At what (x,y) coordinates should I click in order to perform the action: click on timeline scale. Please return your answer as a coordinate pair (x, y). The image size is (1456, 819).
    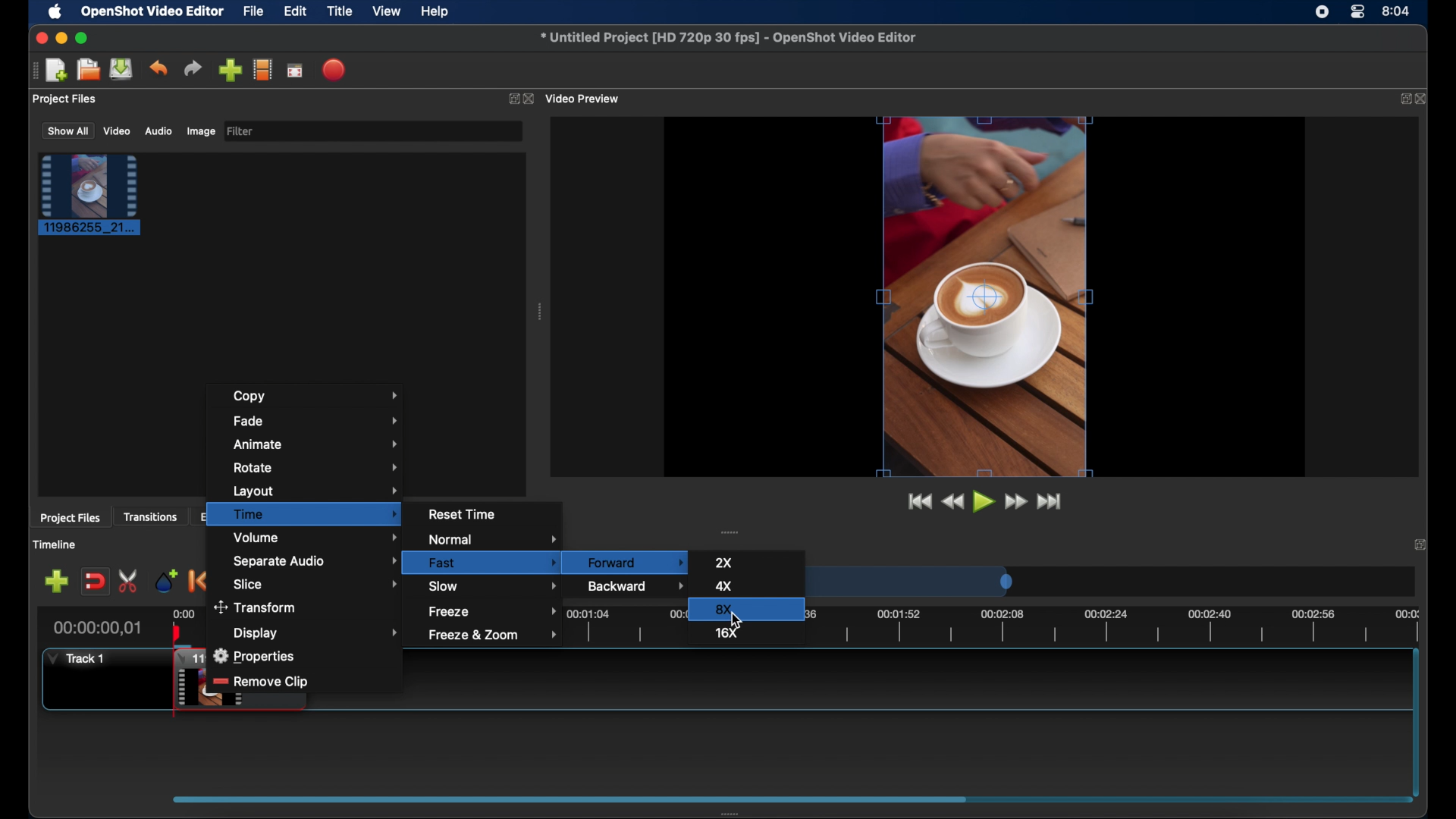
    Looking at the image, I should click on (916, 581).